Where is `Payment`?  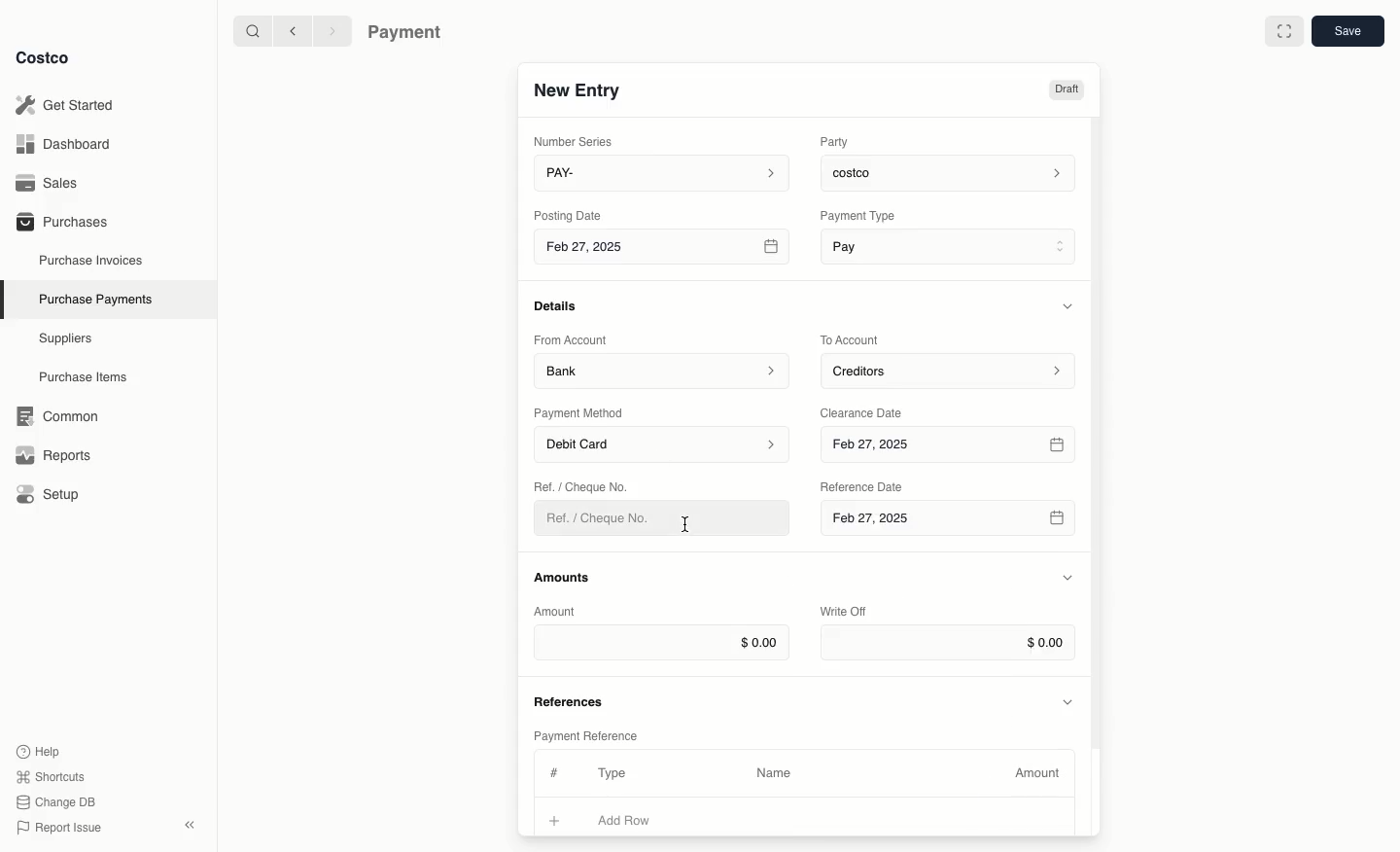
Payment is located at coordinates (409, 34).